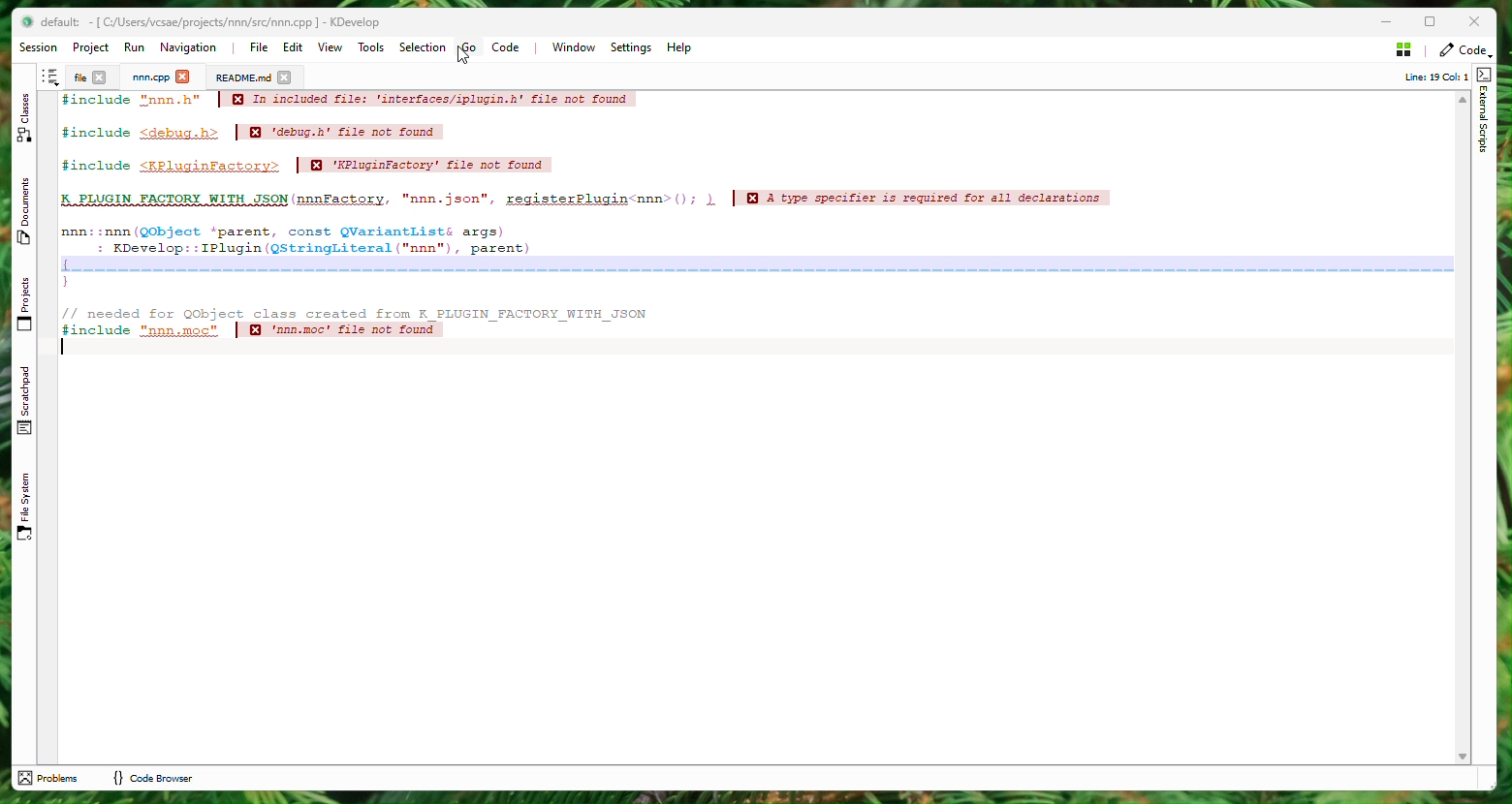  I want to click on , so click(1415, 77).